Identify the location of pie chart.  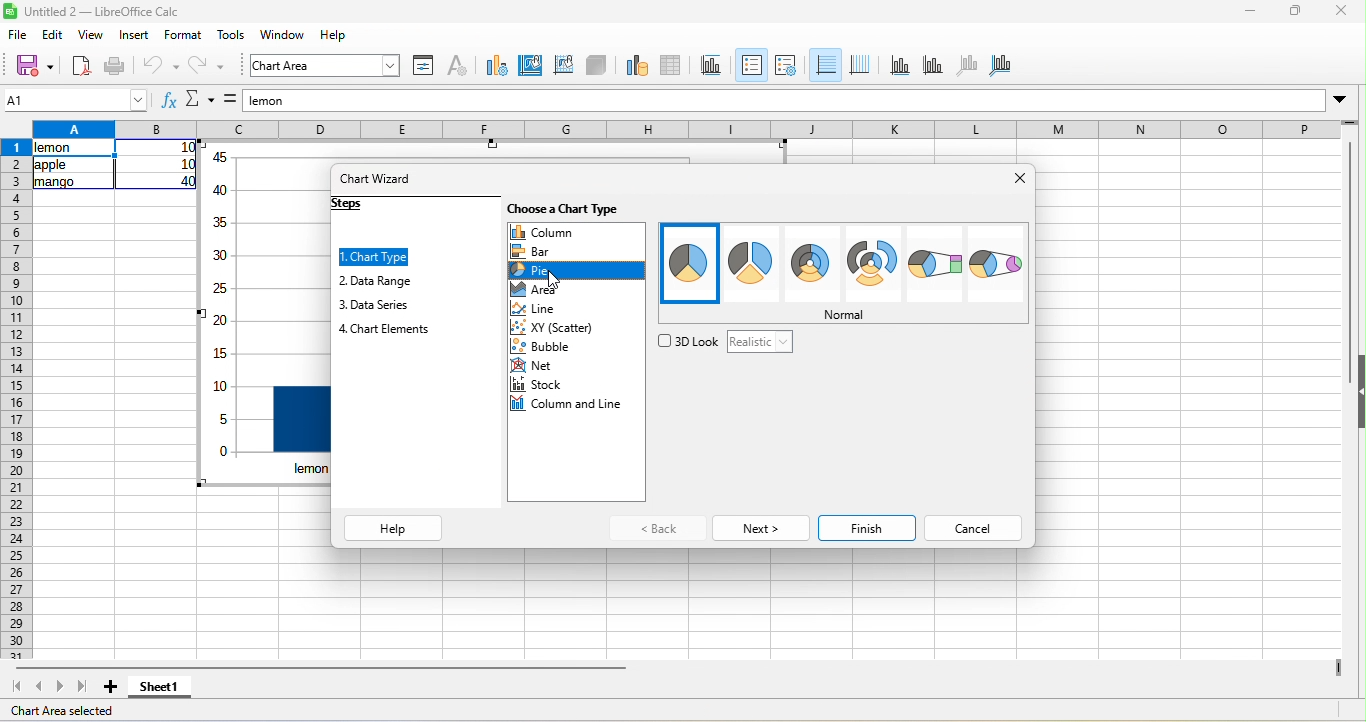
(934, 265).